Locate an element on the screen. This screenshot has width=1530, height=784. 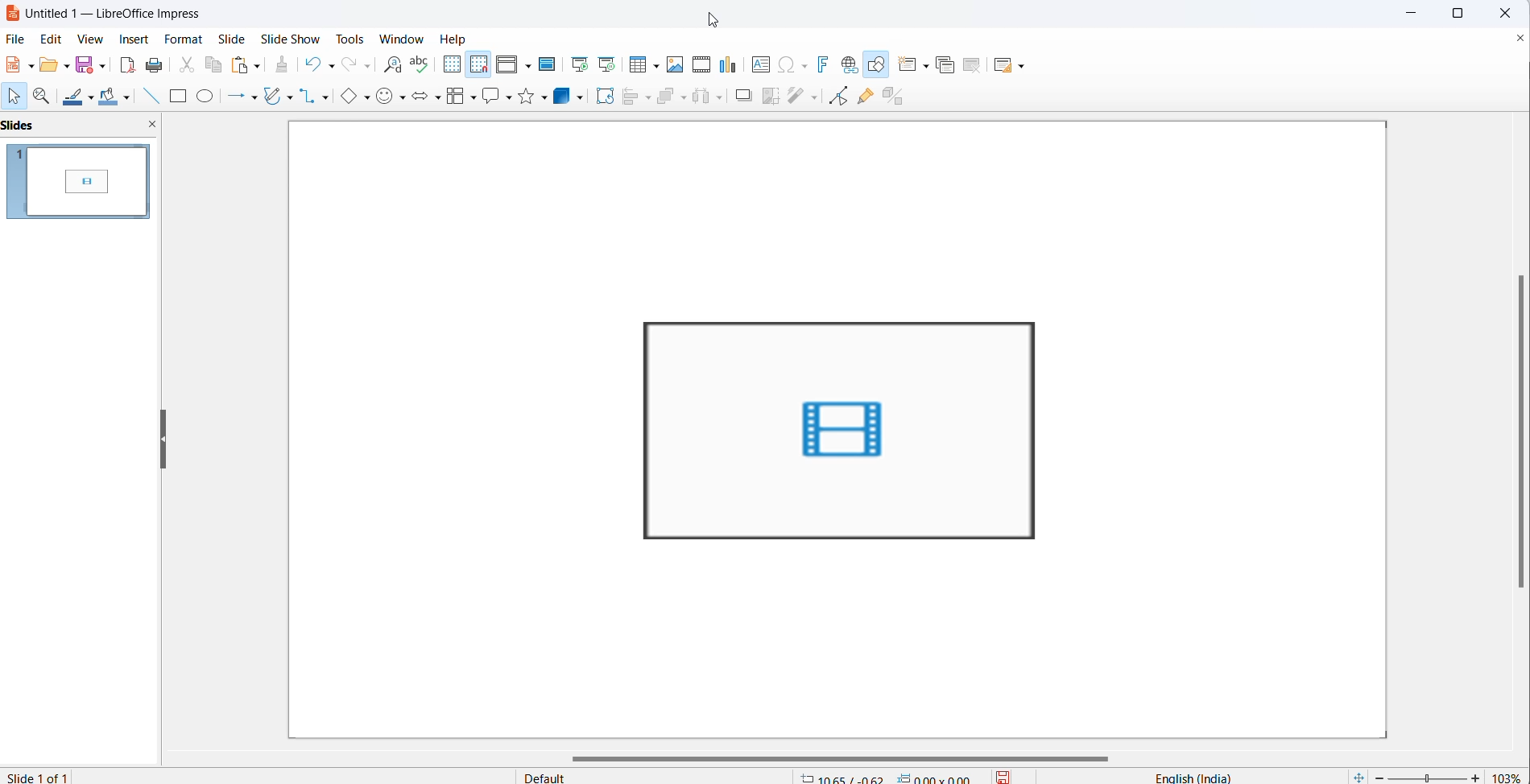
star options is located at coordinates (544, 98).